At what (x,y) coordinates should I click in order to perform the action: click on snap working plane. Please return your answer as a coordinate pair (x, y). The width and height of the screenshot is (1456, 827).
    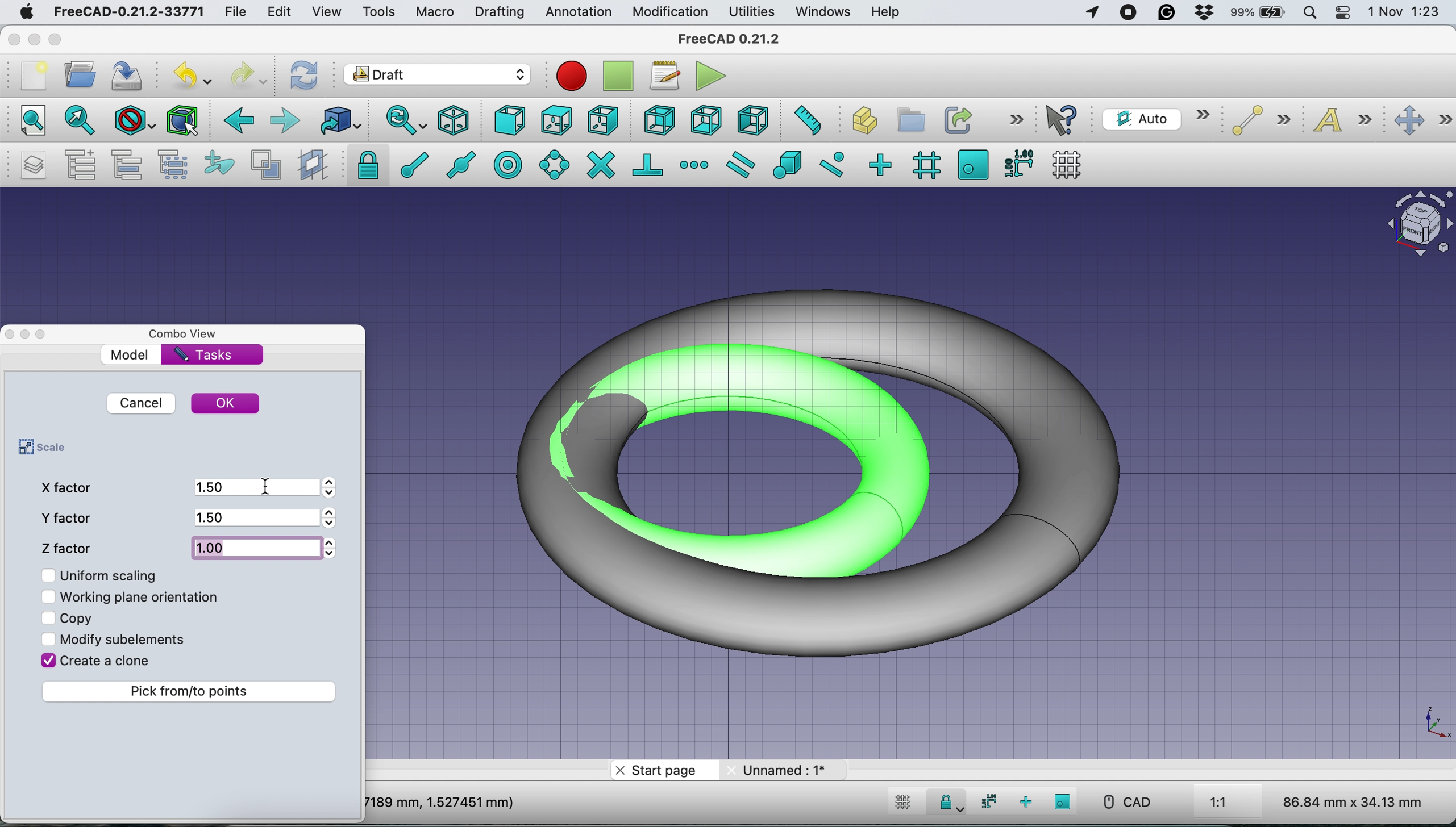
    Looking at the image, I should click on (973, 164).